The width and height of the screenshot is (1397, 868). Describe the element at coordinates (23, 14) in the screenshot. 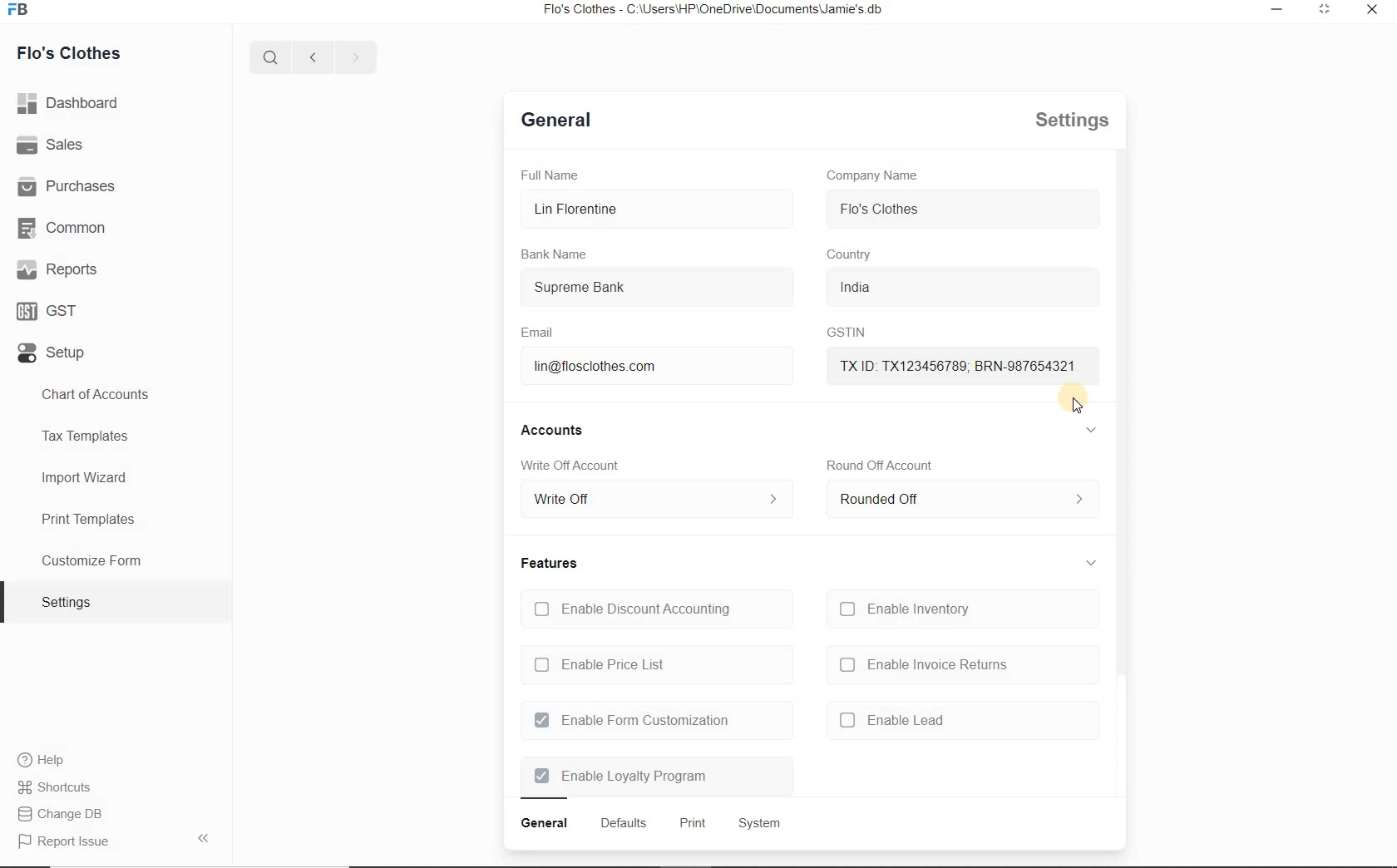

I see `icon` at that location.